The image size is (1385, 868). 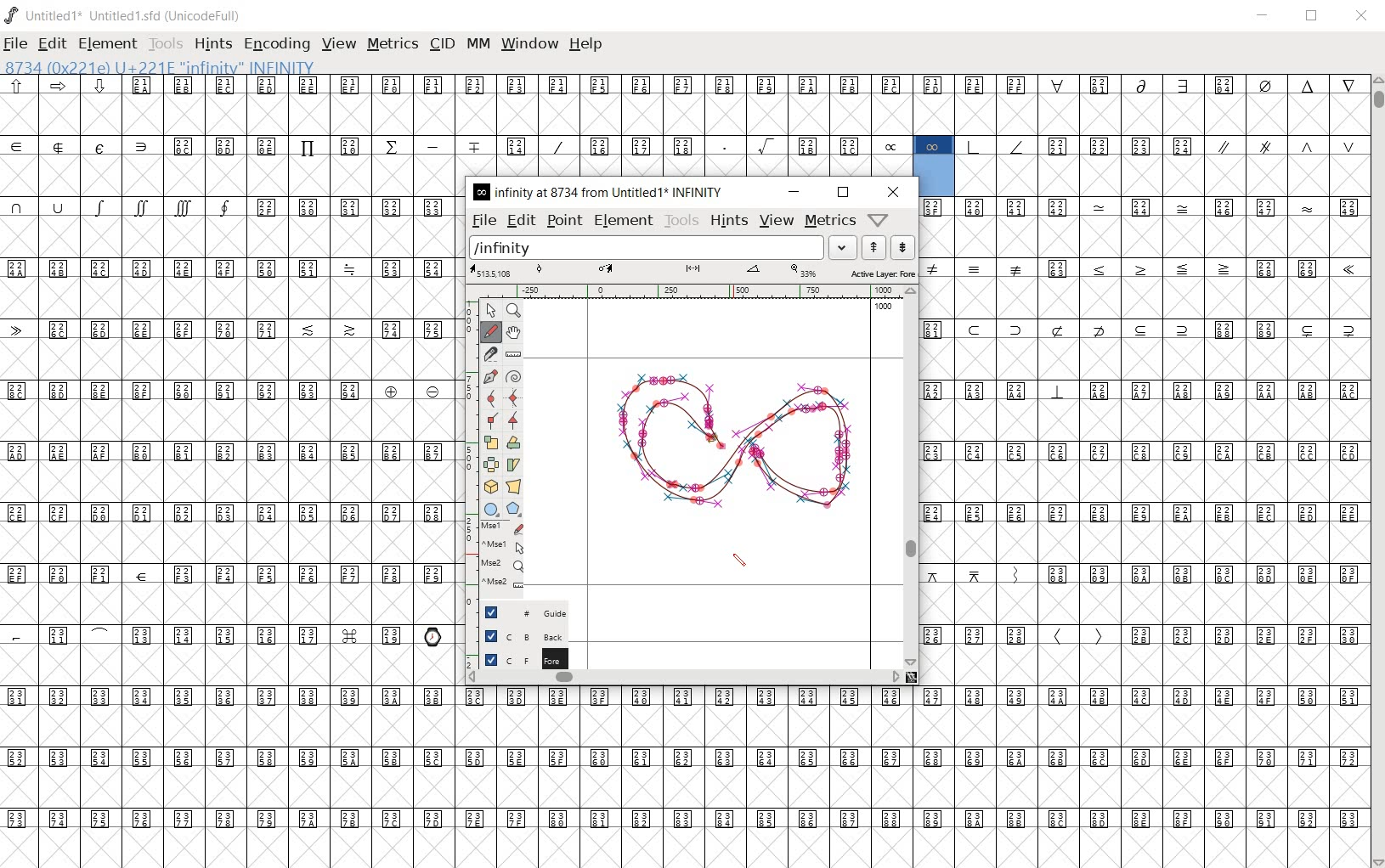 I want to click on view, so click(x=777, y=221).